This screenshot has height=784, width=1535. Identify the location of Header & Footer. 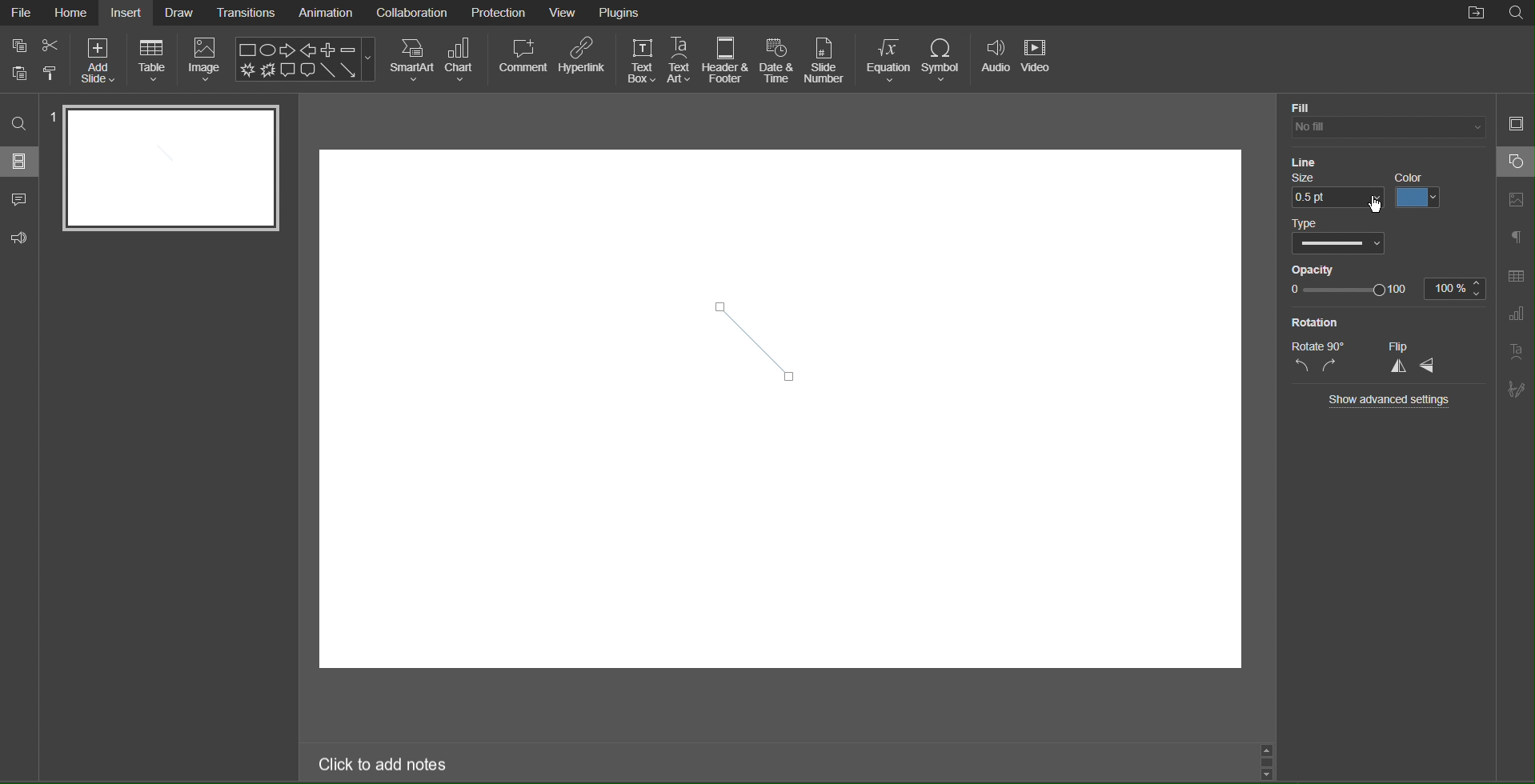
(725, 61).